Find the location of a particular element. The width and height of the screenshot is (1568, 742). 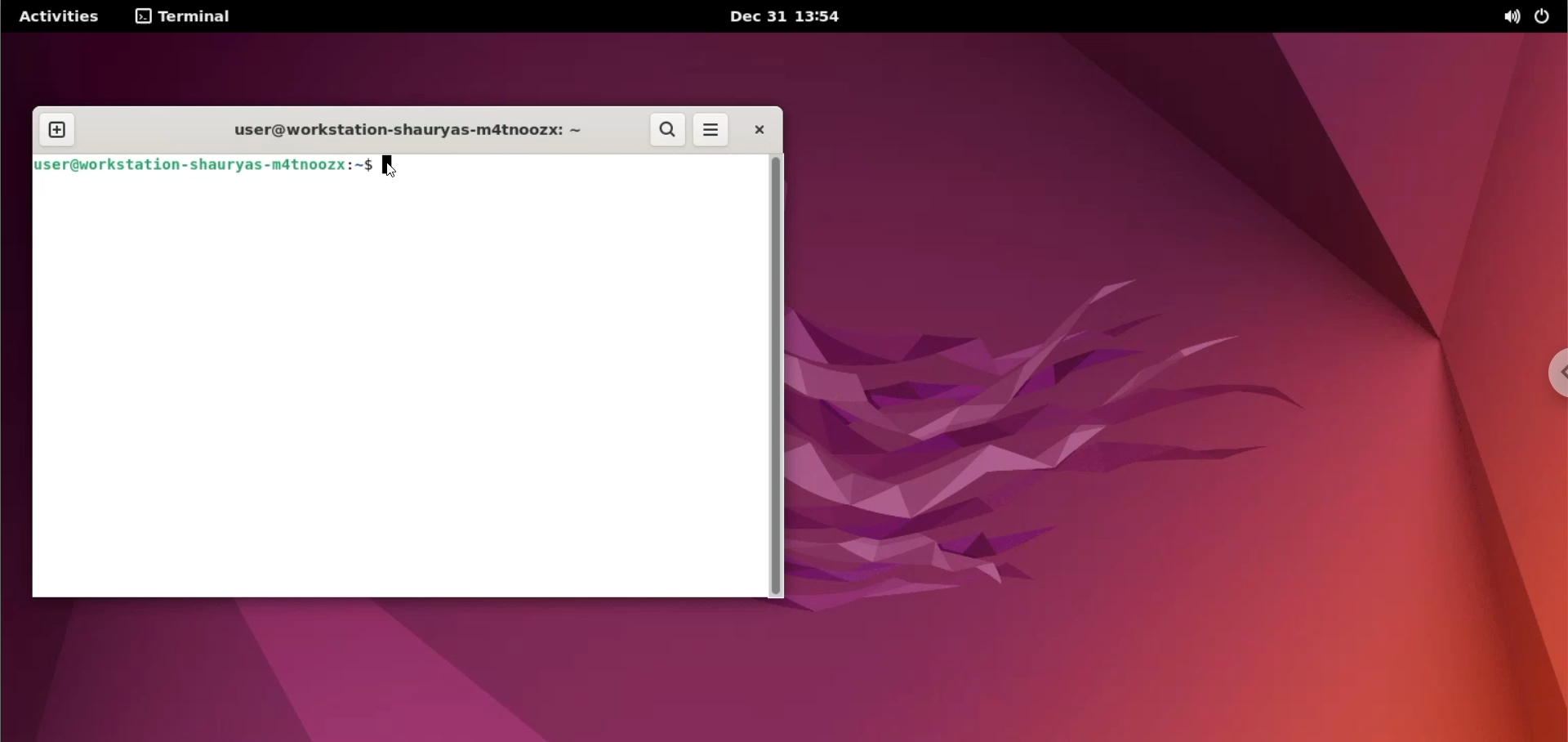

more options is located at coordinates (711, 131).